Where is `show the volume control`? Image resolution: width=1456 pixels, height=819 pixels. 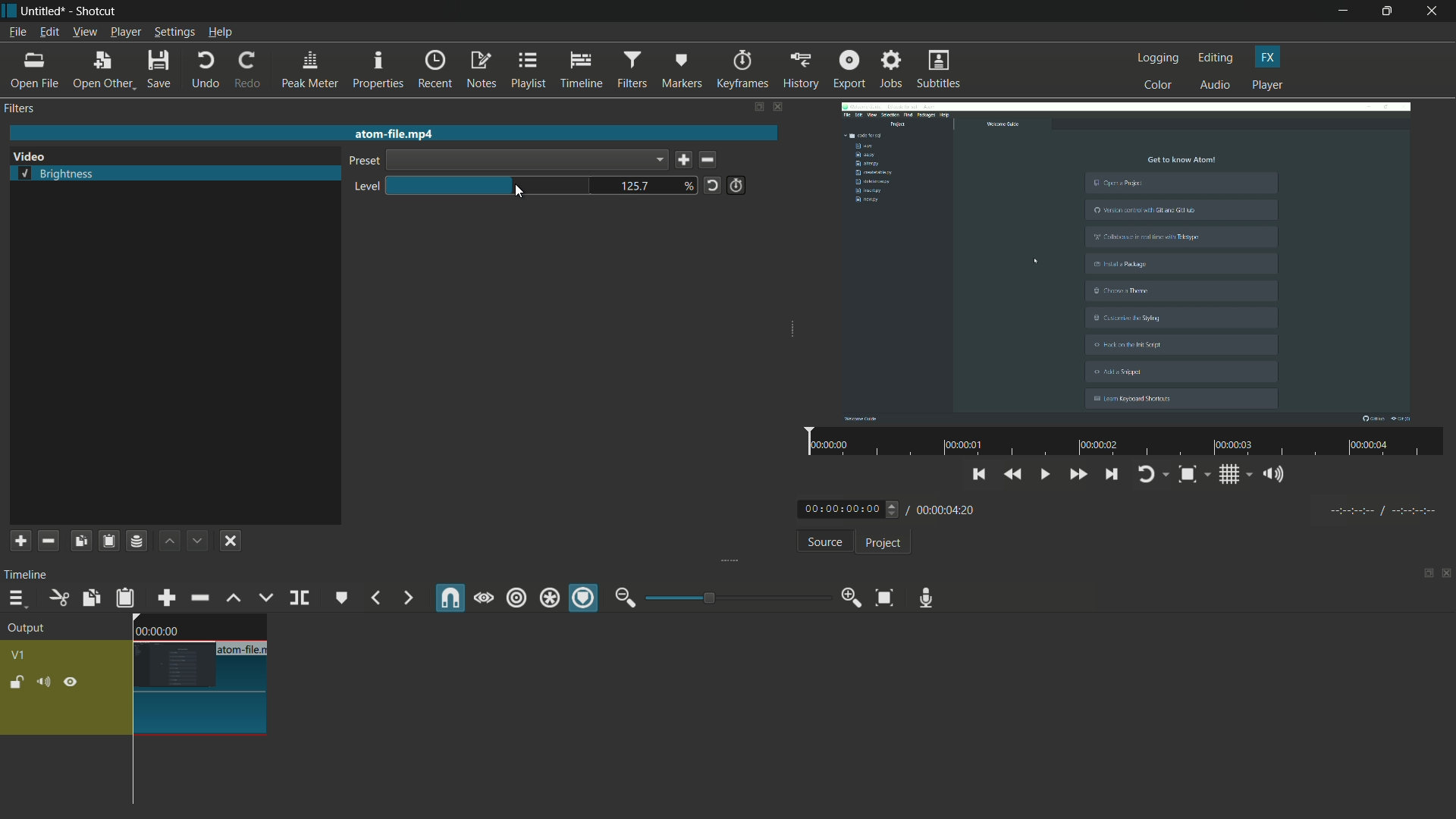
show the volume control is located at coordinates (1278, 475).